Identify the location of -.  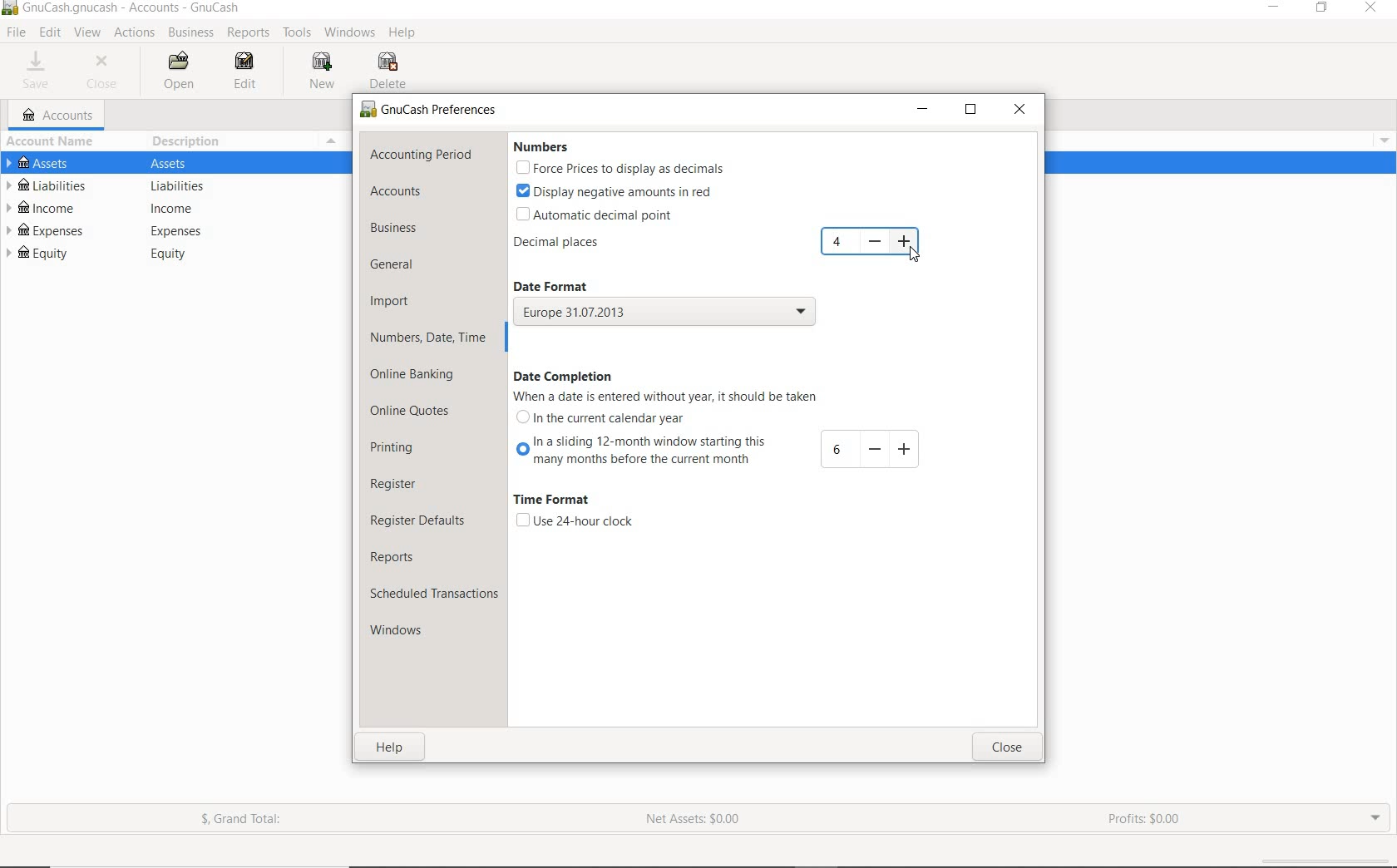
(873, 449).